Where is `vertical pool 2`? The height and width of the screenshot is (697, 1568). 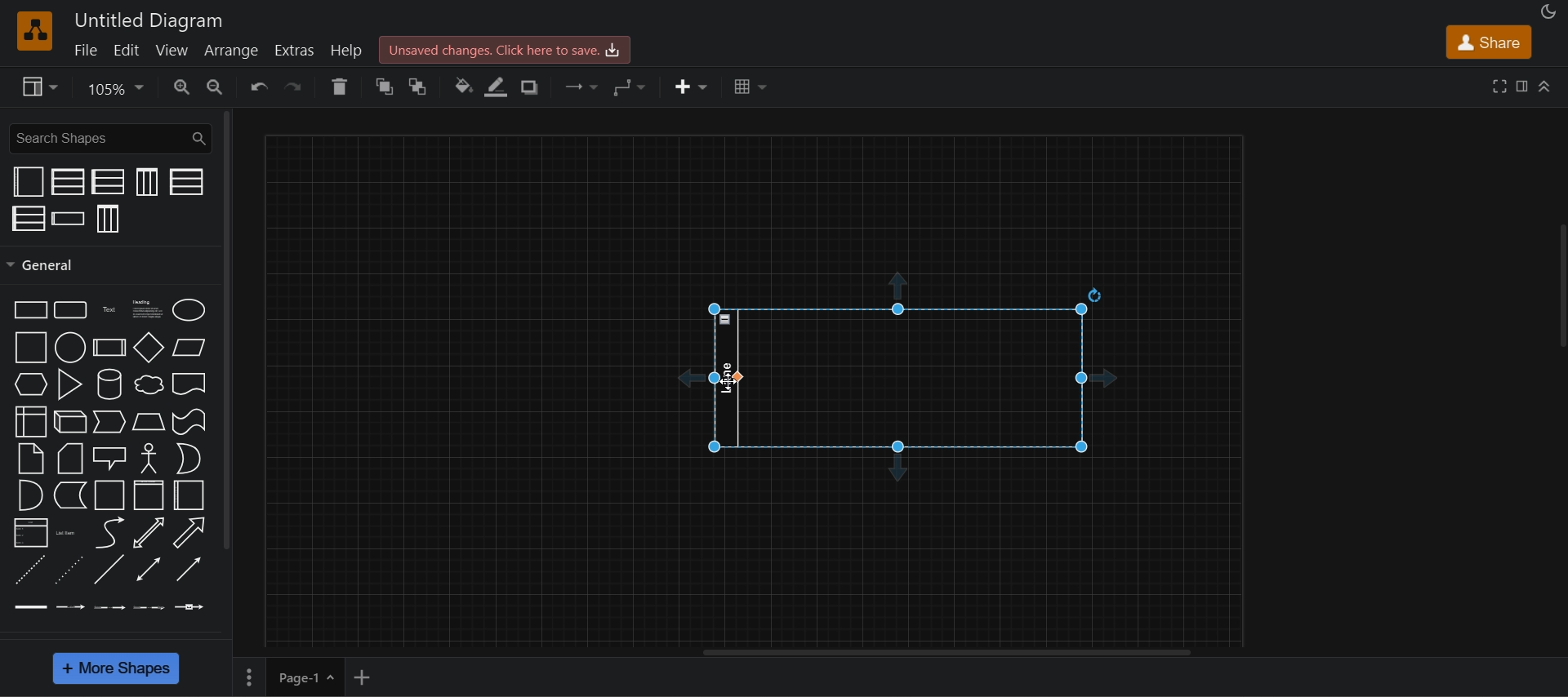 vertical pool 2 is located at coordinates (68, 182).